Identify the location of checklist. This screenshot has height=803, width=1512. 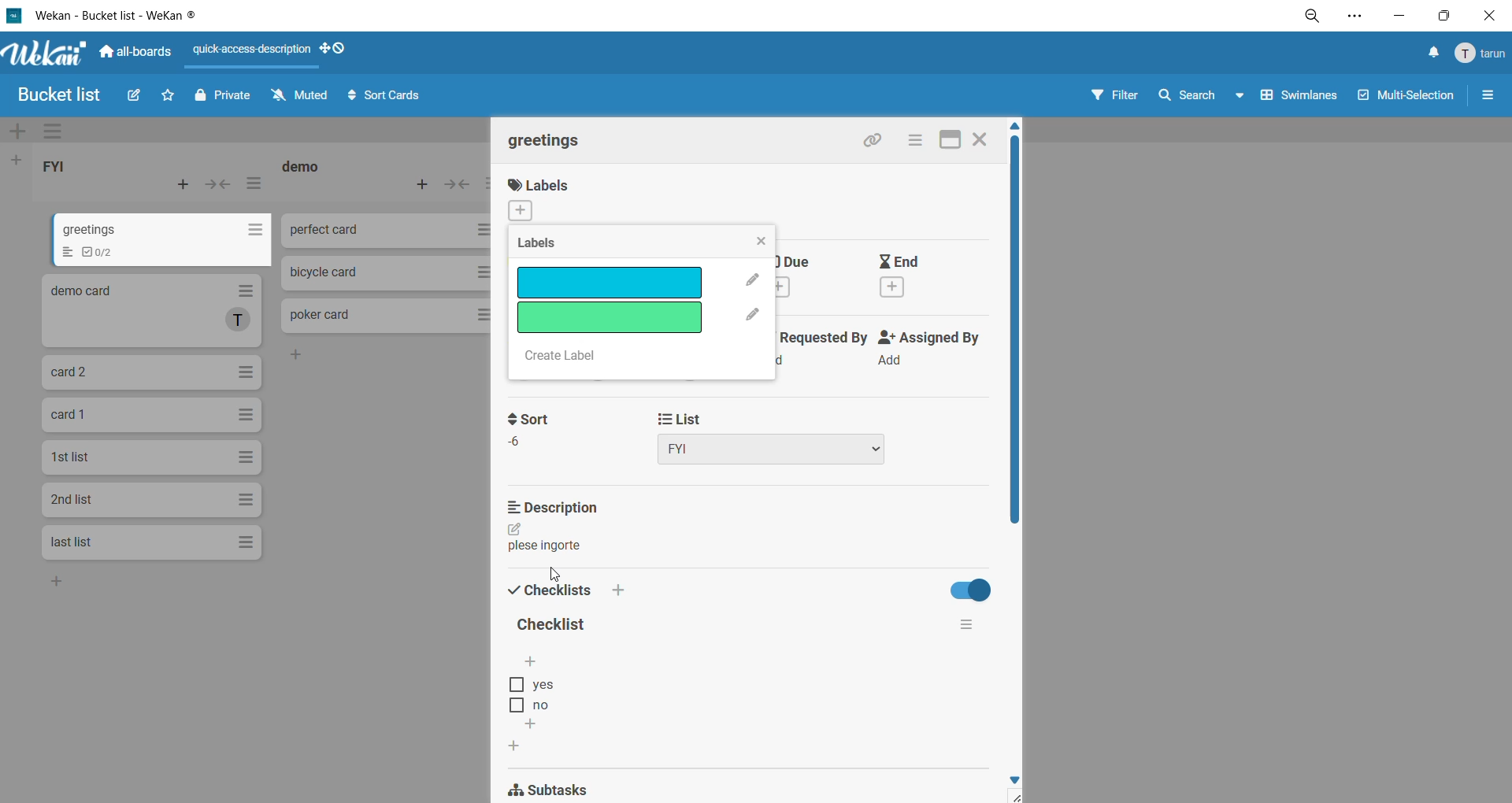
(549, 592).